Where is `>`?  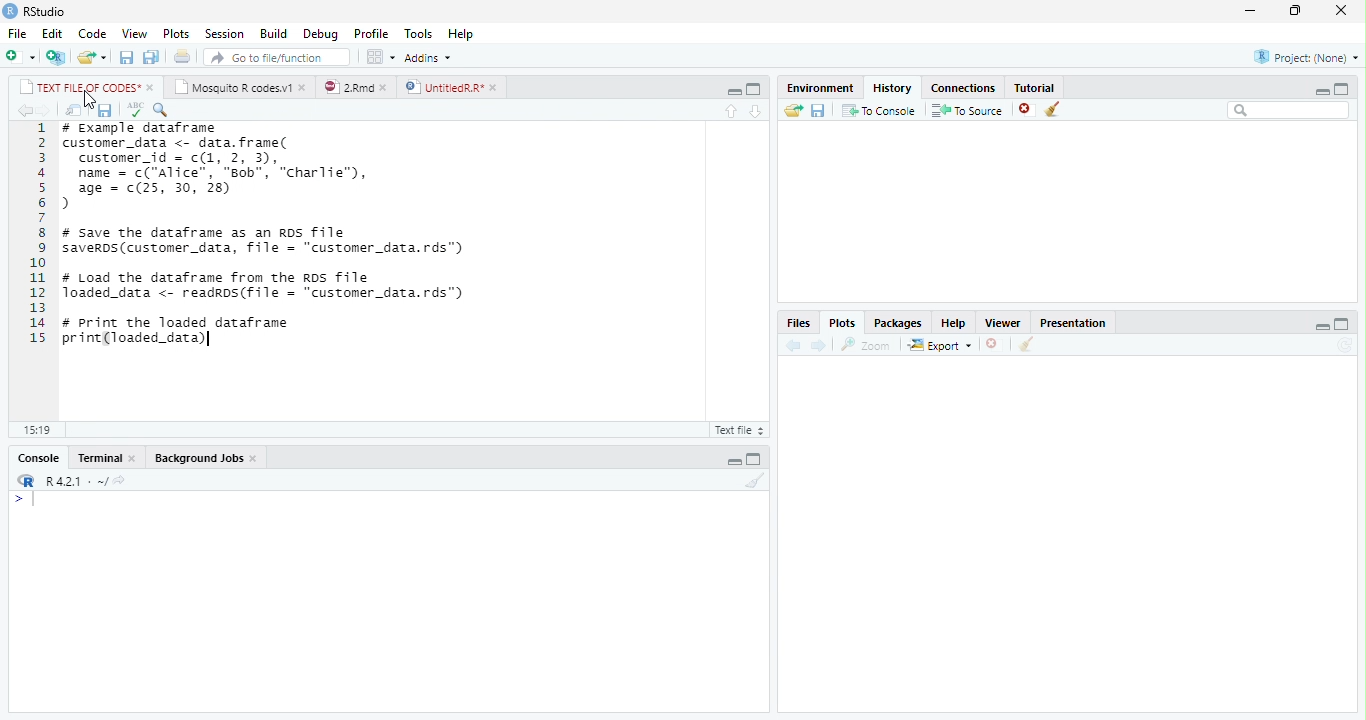 > is located at coordinates (26, 499).